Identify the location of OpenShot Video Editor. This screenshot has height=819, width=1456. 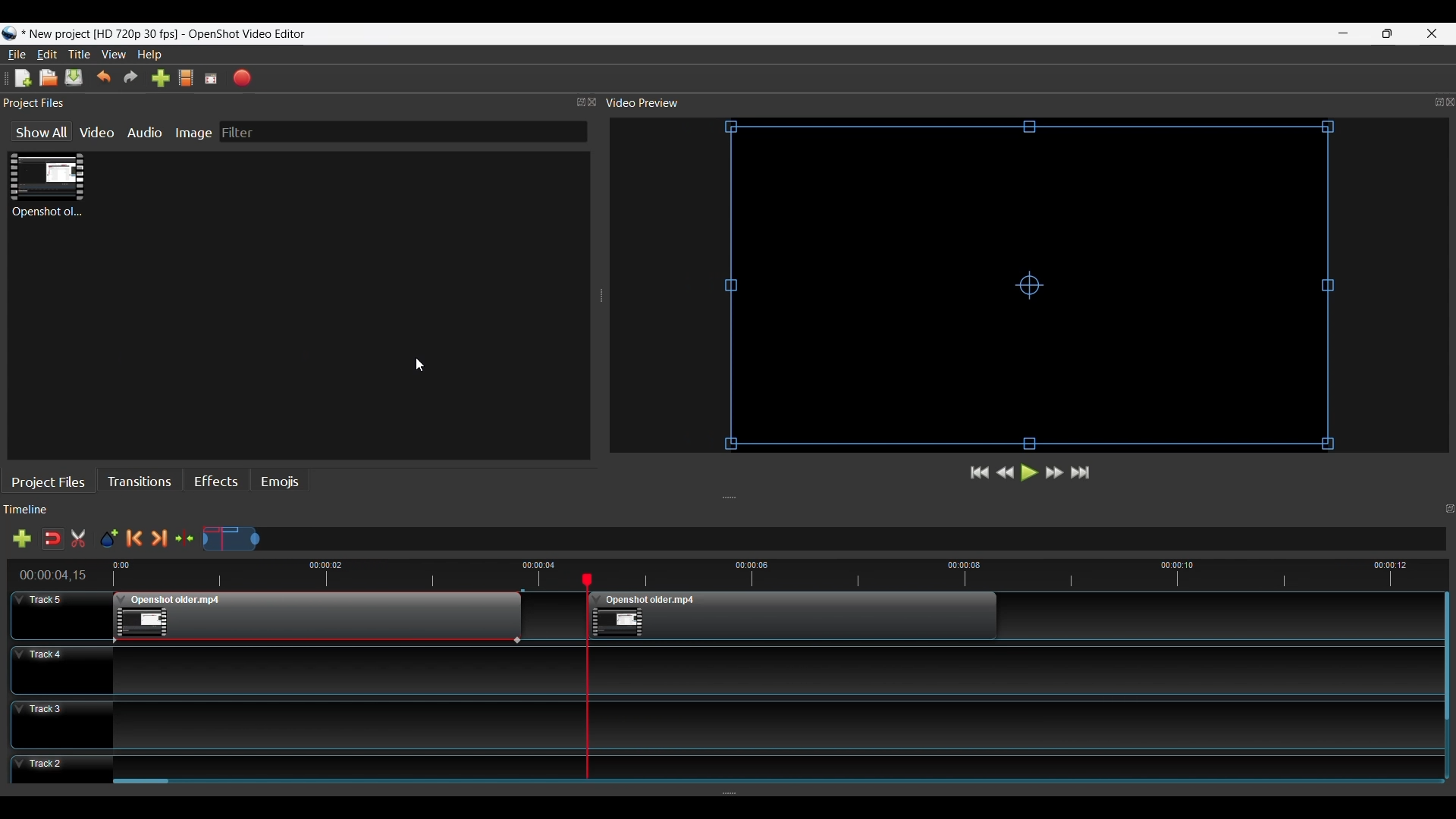
(245, 35).